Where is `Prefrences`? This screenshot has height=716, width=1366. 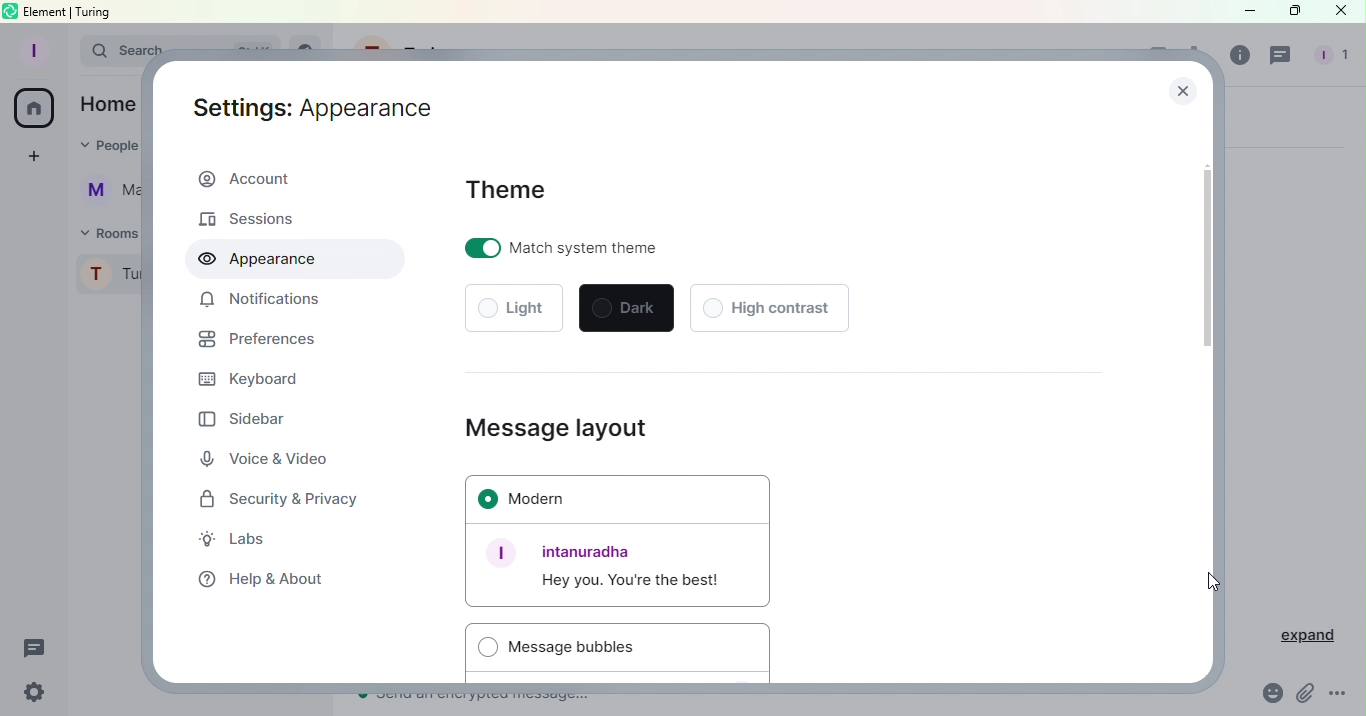 Prefrences is located at coordinates (254, 340).